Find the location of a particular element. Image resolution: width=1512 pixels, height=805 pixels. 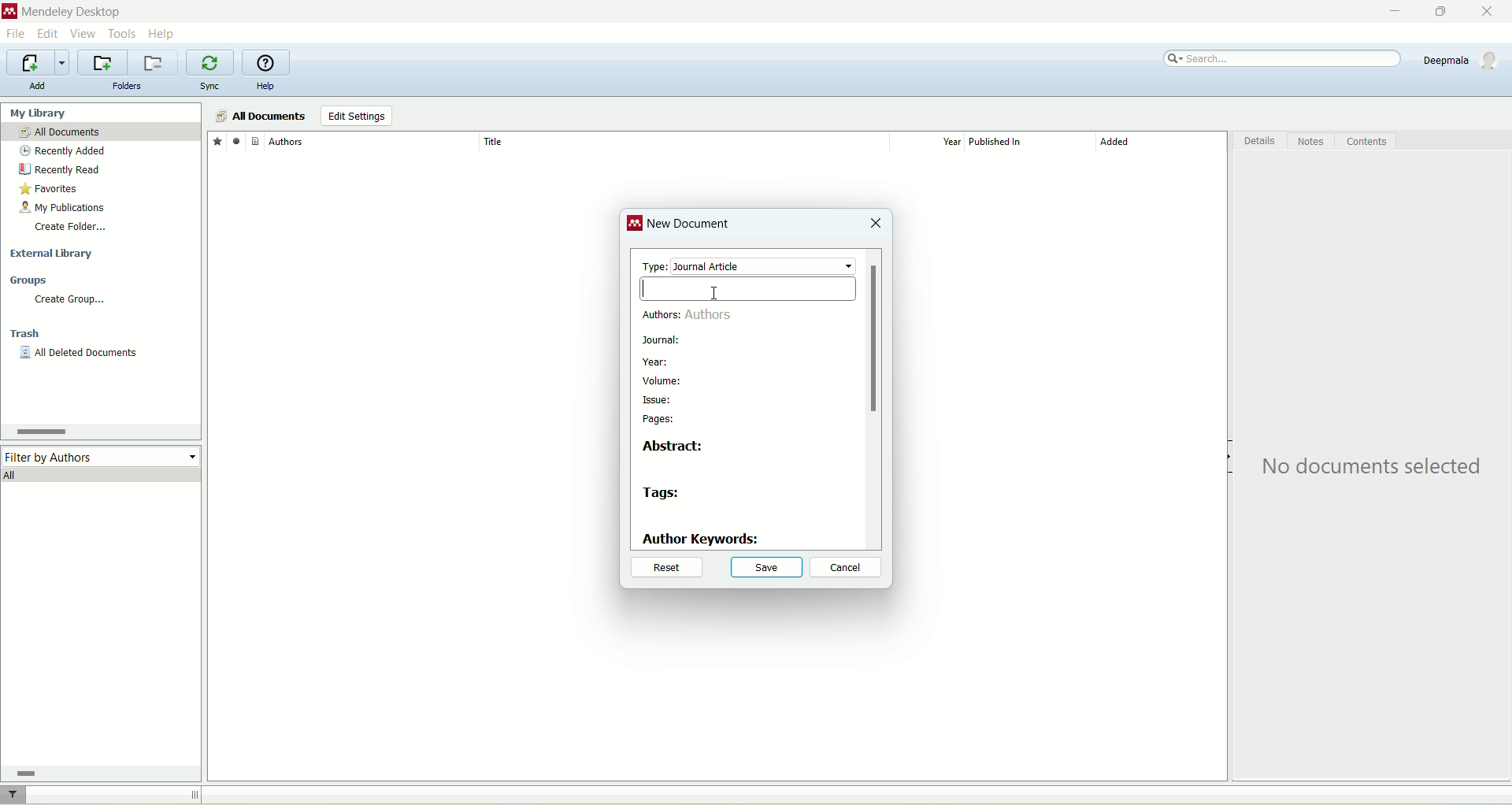

cursor is located at coordinates (650, 288).